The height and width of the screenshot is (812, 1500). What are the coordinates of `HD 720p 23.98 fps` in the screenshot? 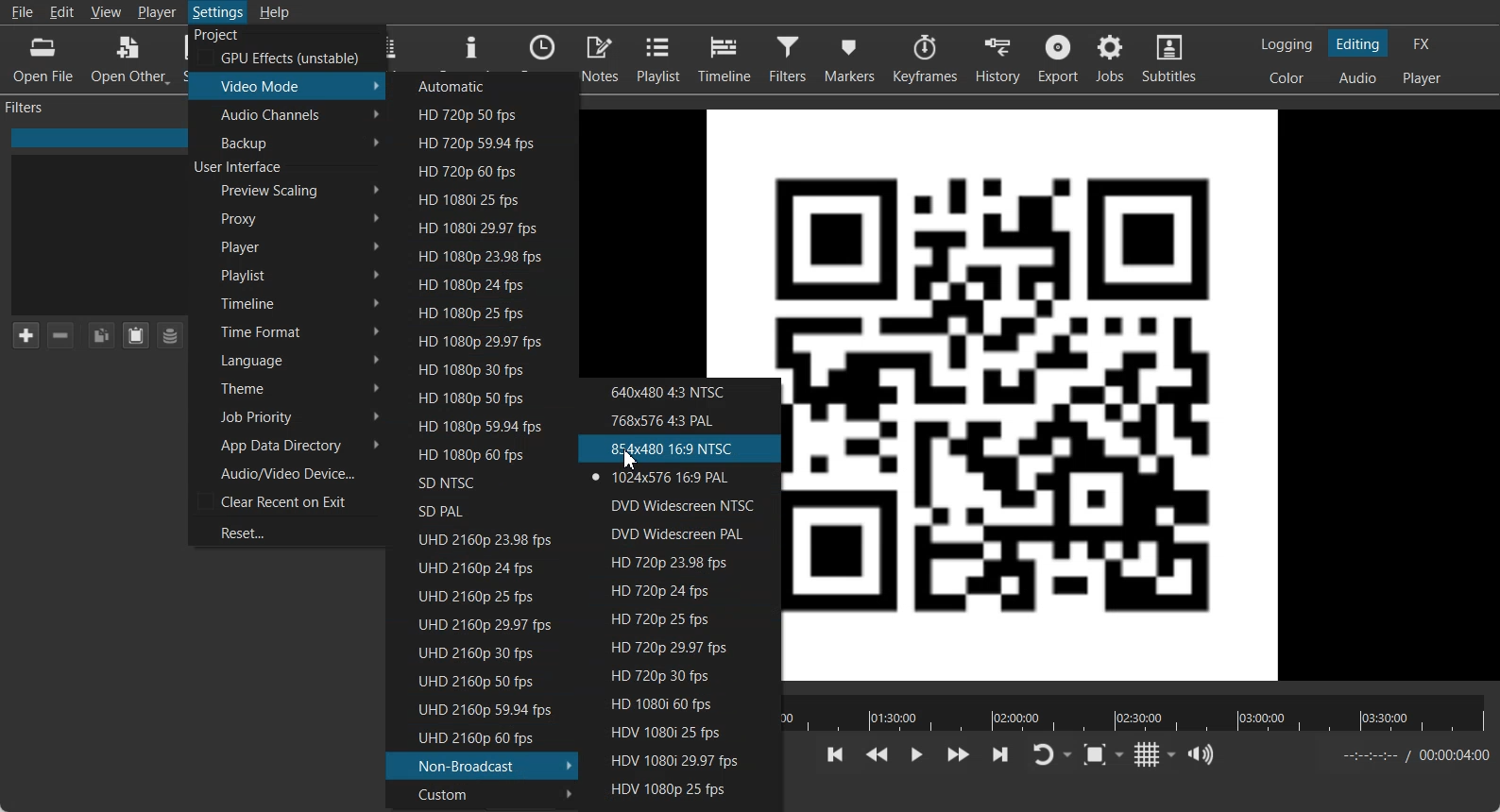 It's located at (686, 562).